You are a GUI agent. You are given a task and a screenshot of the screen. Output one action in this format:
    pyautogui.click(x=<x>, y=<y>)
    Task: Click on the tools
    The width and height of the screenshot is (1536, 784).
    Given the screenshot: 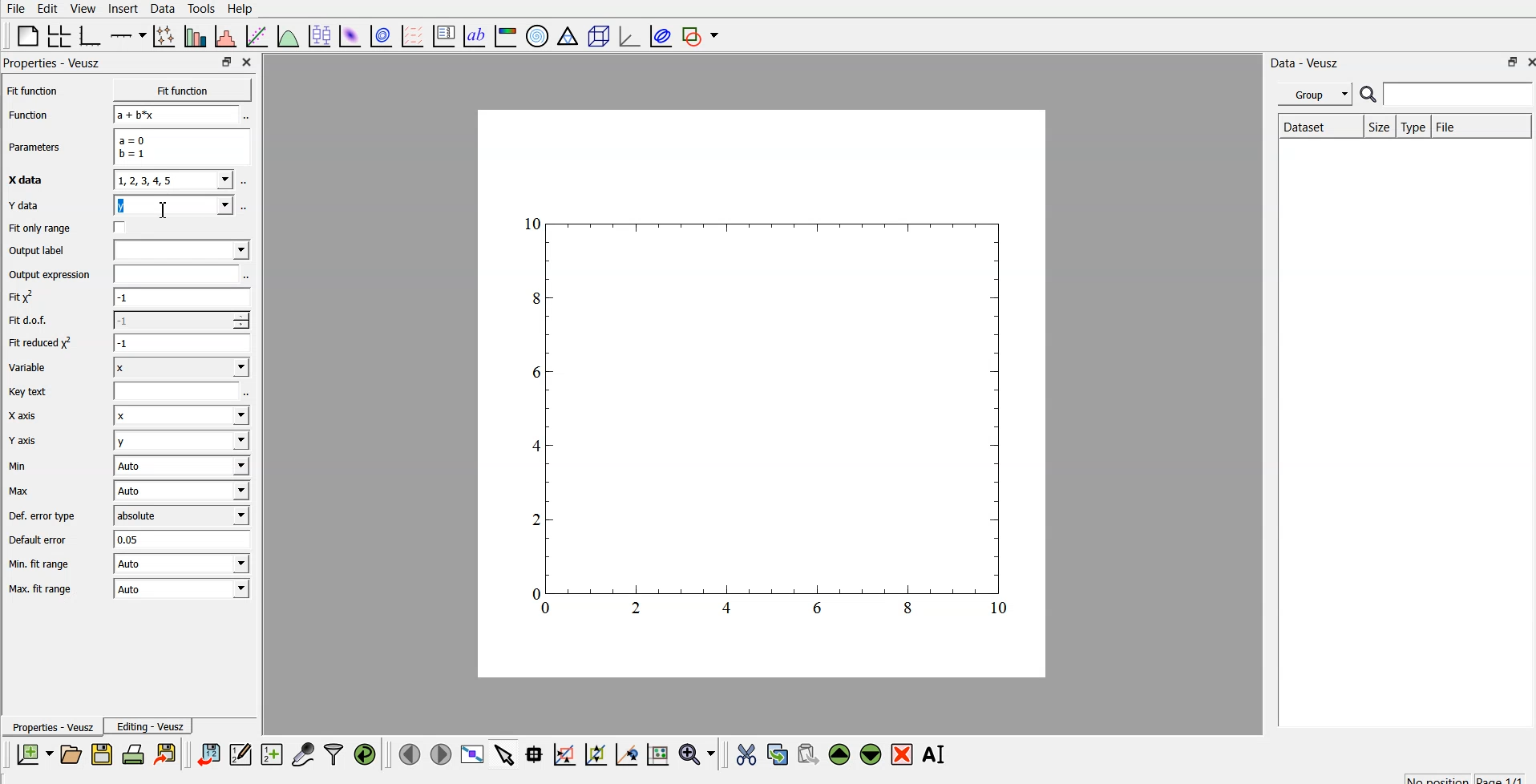 What is the action you would take?
    pyautogui.click(x=200, y=7)
    